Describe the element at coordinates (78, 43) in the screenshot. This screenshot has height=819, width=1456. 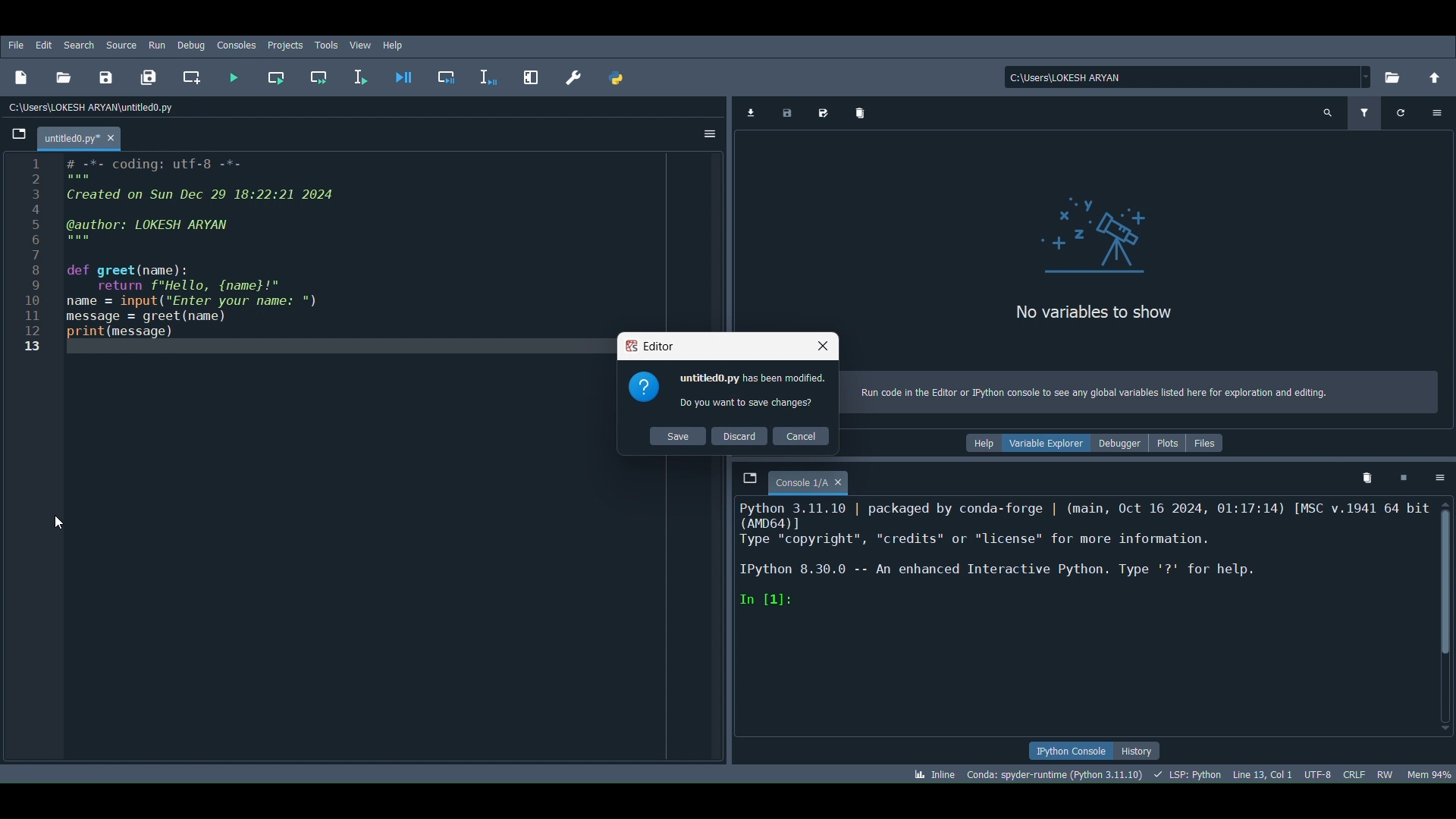
I see `Search` at that location.